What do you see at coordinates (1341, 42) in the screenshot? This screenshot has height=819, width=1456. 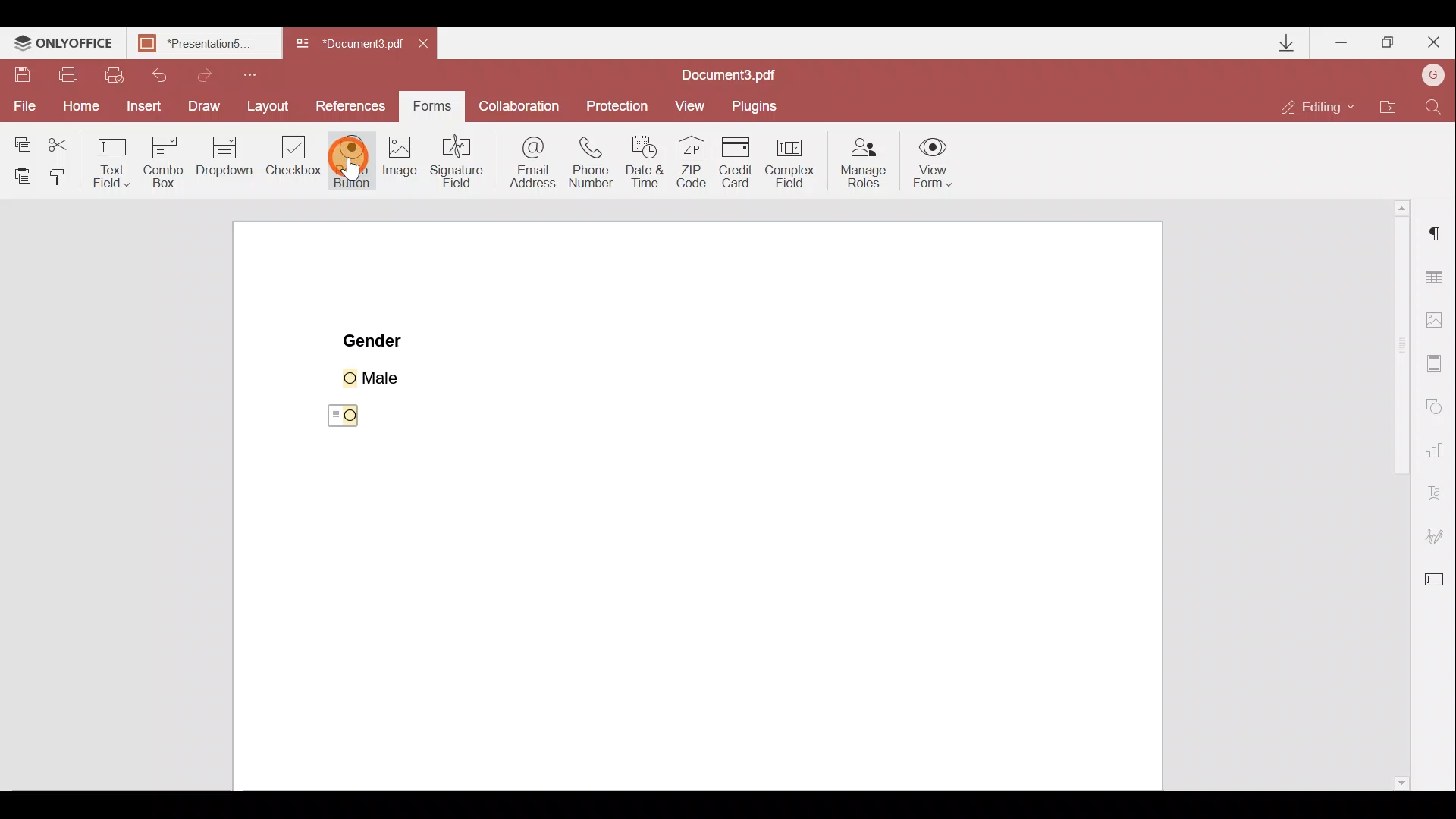 I see `Minimize` at bounding box center [1341, 42].